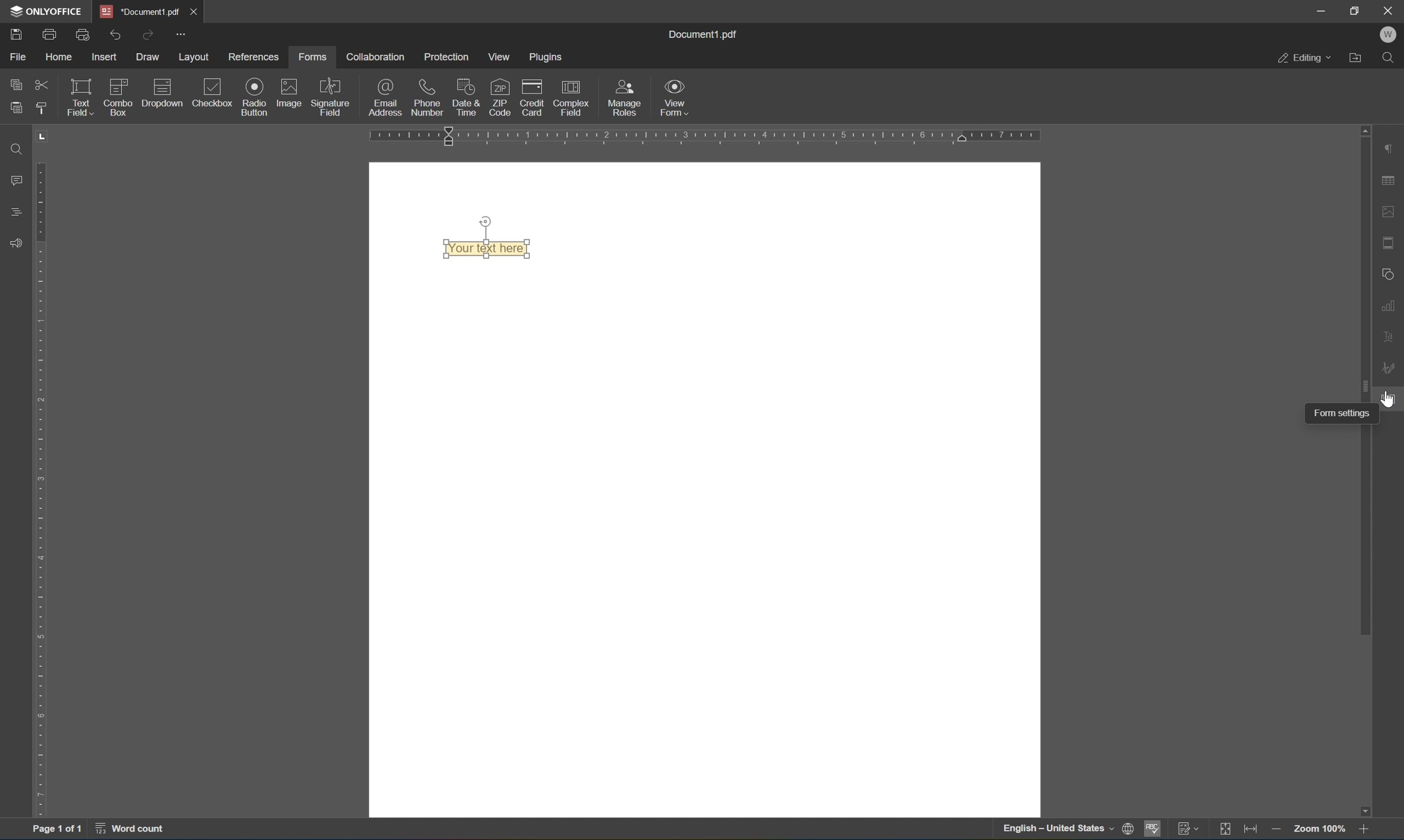 This screenshot has height=840, width=1404. What do you see at coordinates (1390, 182) in the screenshot?
I see `table settings` at bounding box center [1390, 182].